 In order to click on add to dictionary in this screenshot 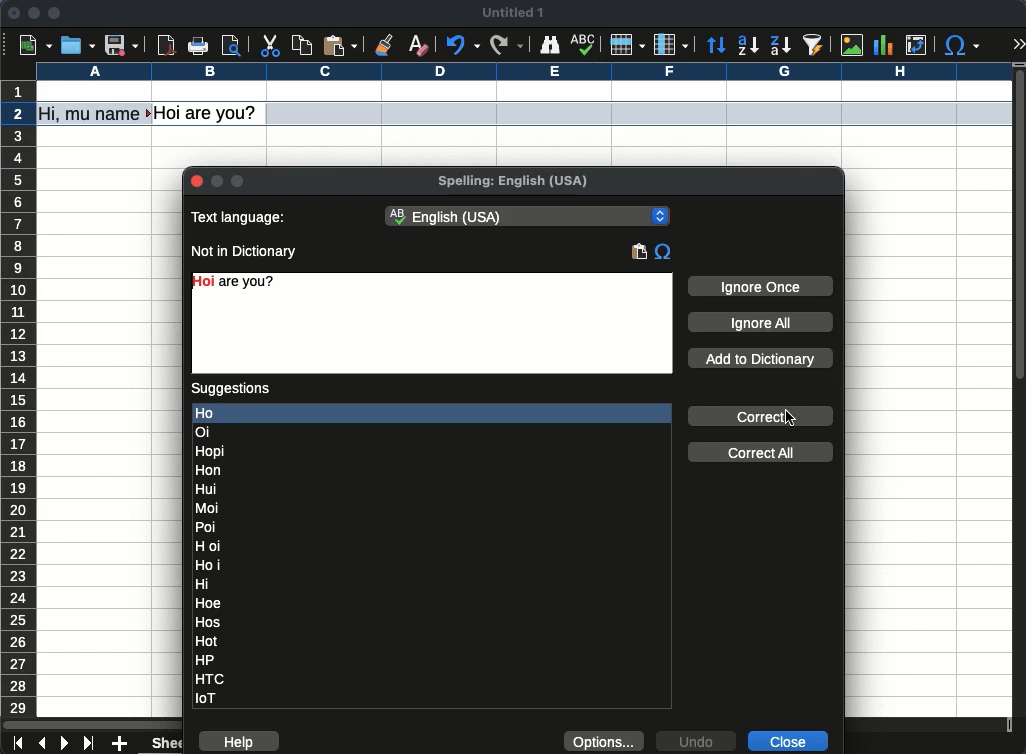, I will do `click(760, 358)`.